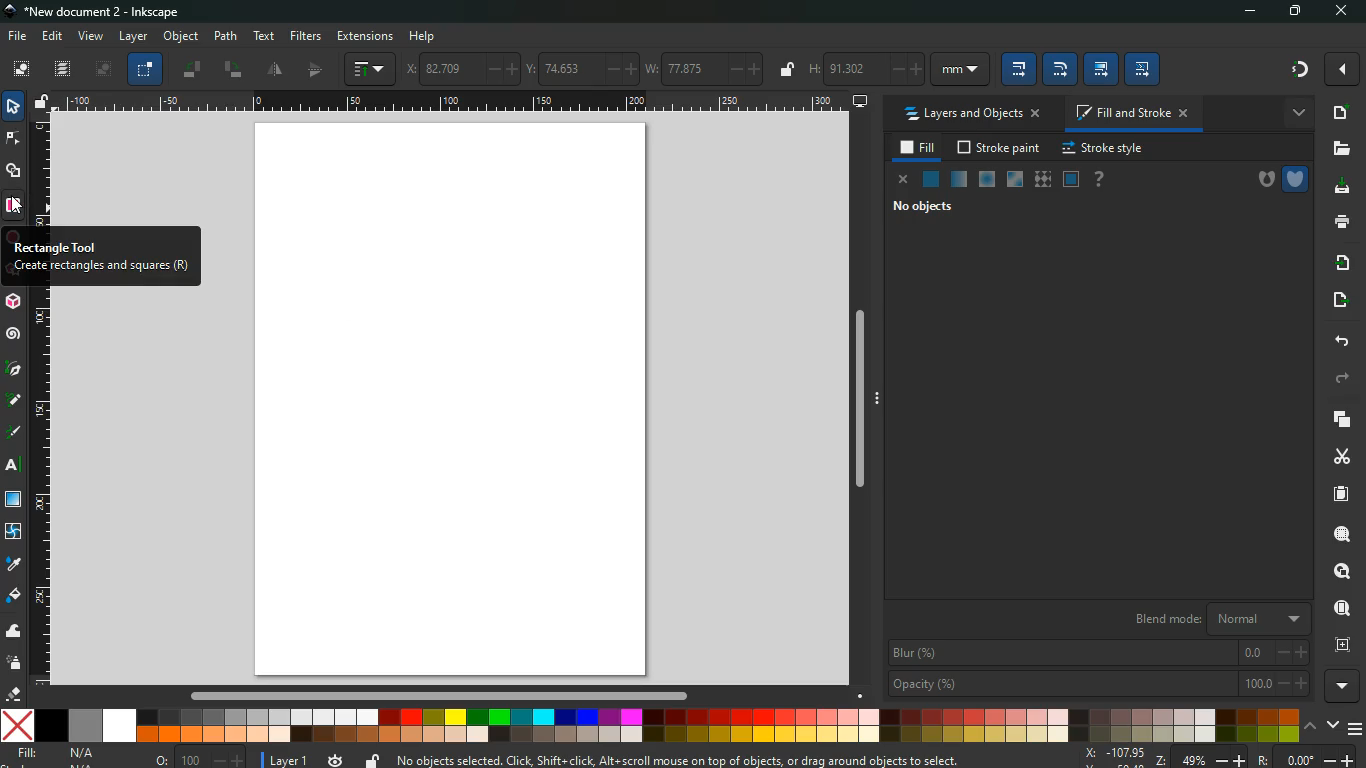 This screenshot has width=1366, height=768. Describe the element at coordinates (99, 257) in the screenshot. I see `rectangle tool` at that location.